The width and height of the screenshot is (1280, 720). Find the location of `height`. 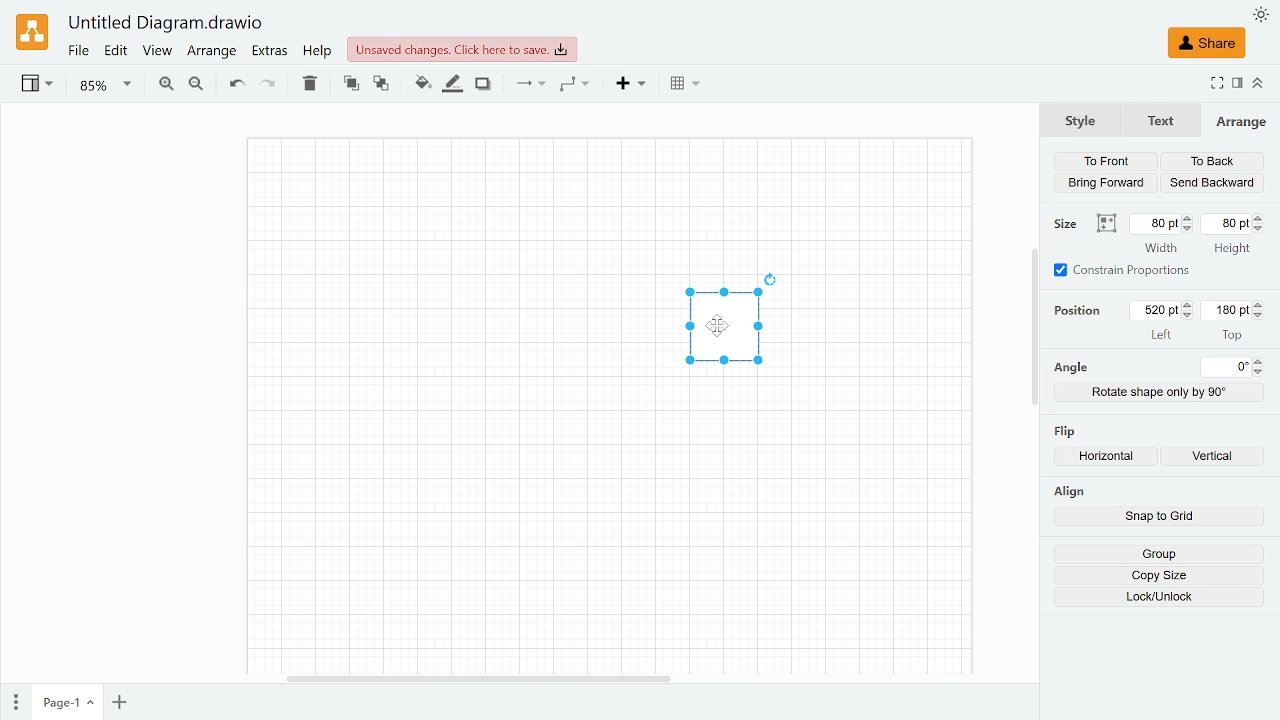

height is located at coordinates (1231, 250).